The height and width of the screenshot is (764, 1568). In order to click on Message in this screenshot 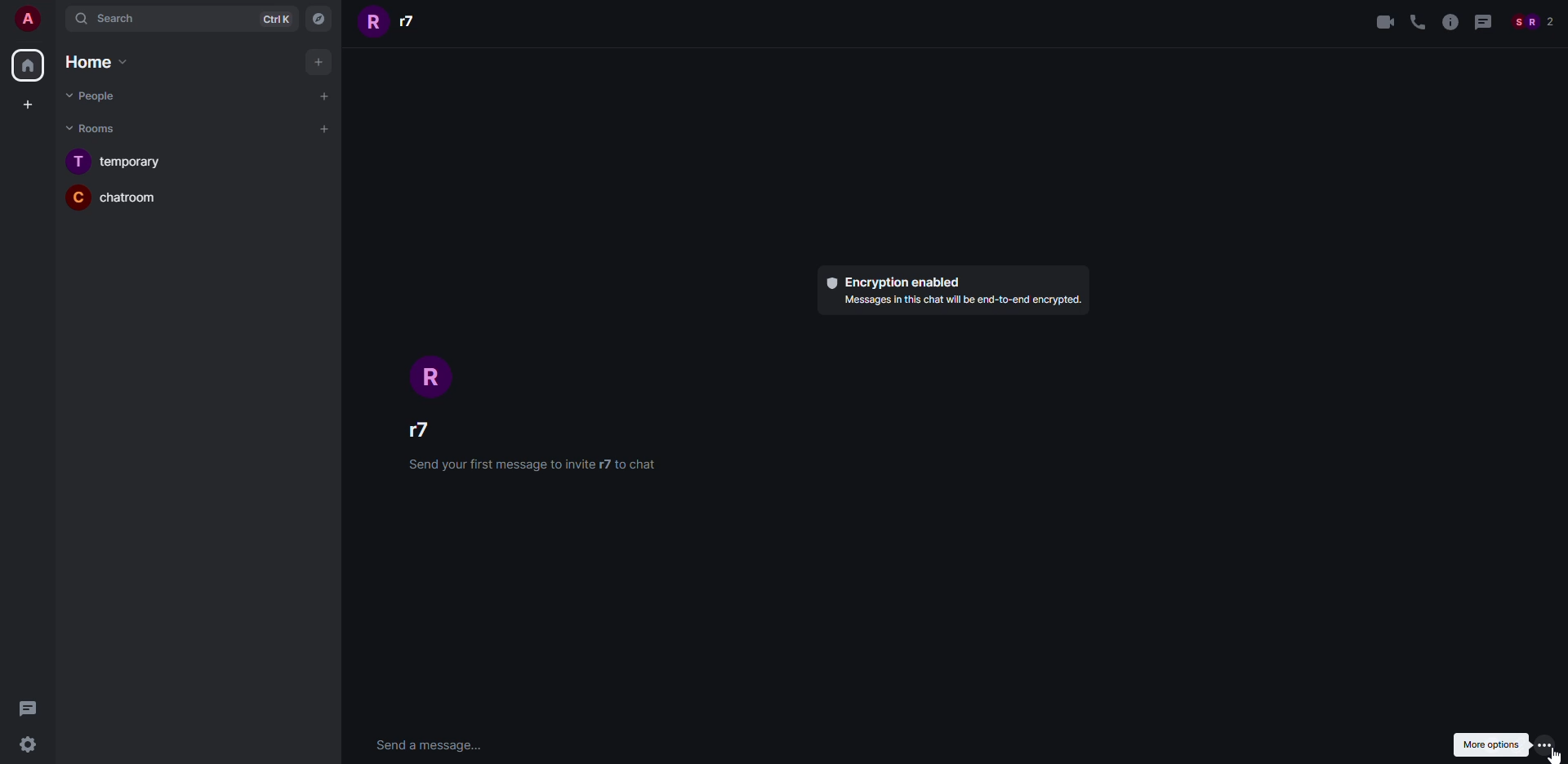, I will do `click(31, 709)`.